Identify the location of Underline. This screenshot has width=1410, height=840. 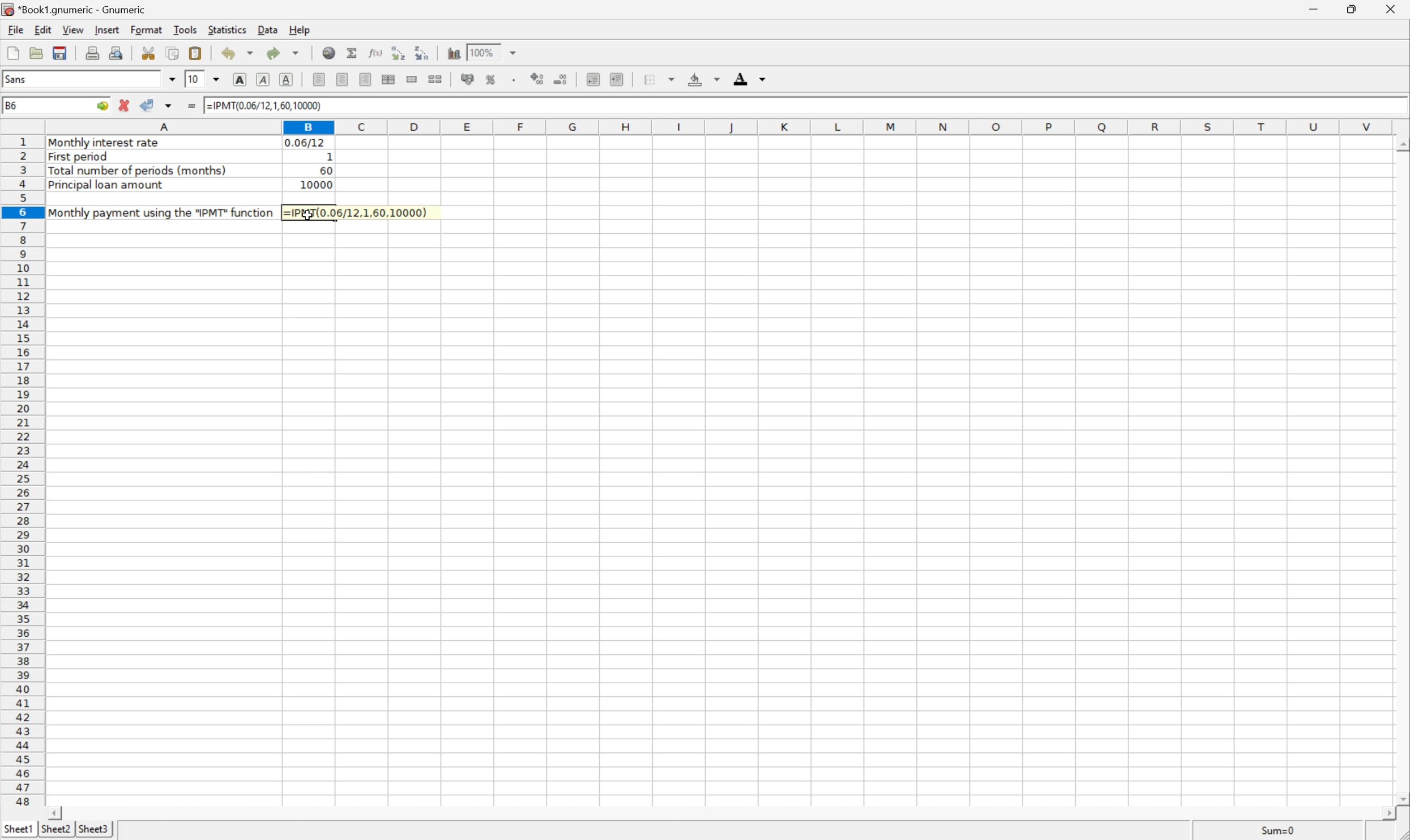
(287, 78).